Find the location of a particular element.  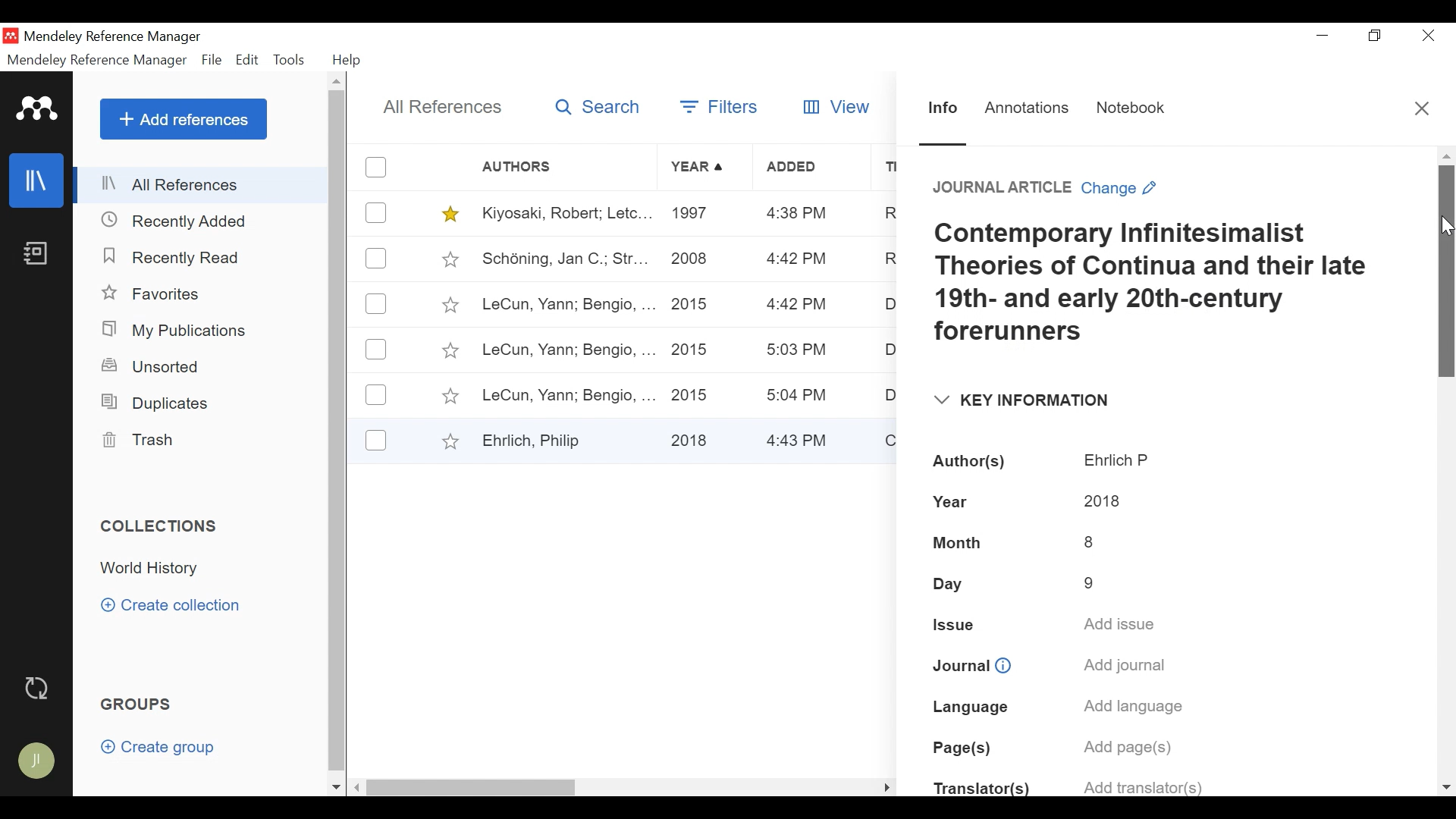

2008 is located at coordinates (691, 262).